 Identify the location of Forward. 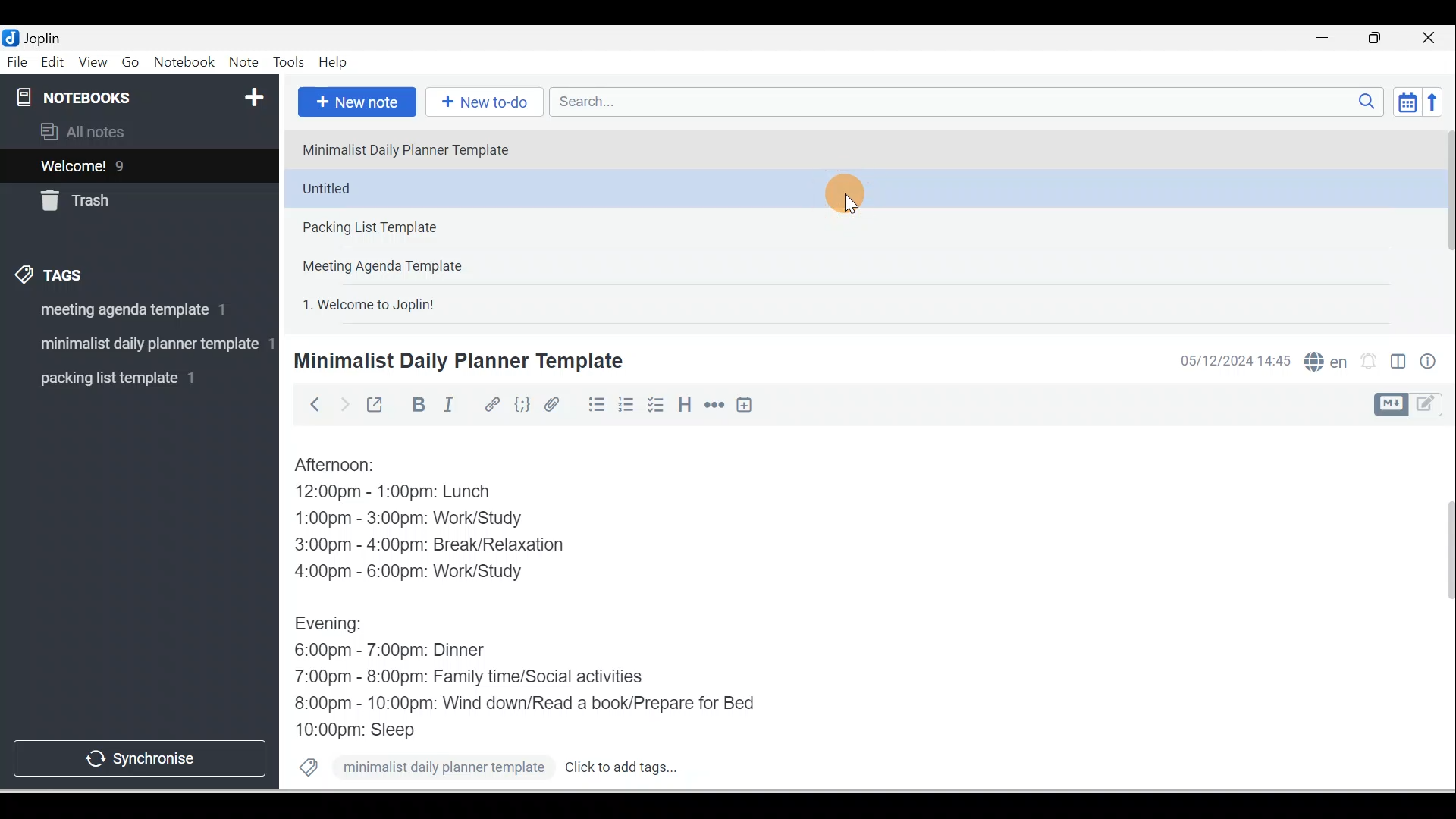
(343, 403).